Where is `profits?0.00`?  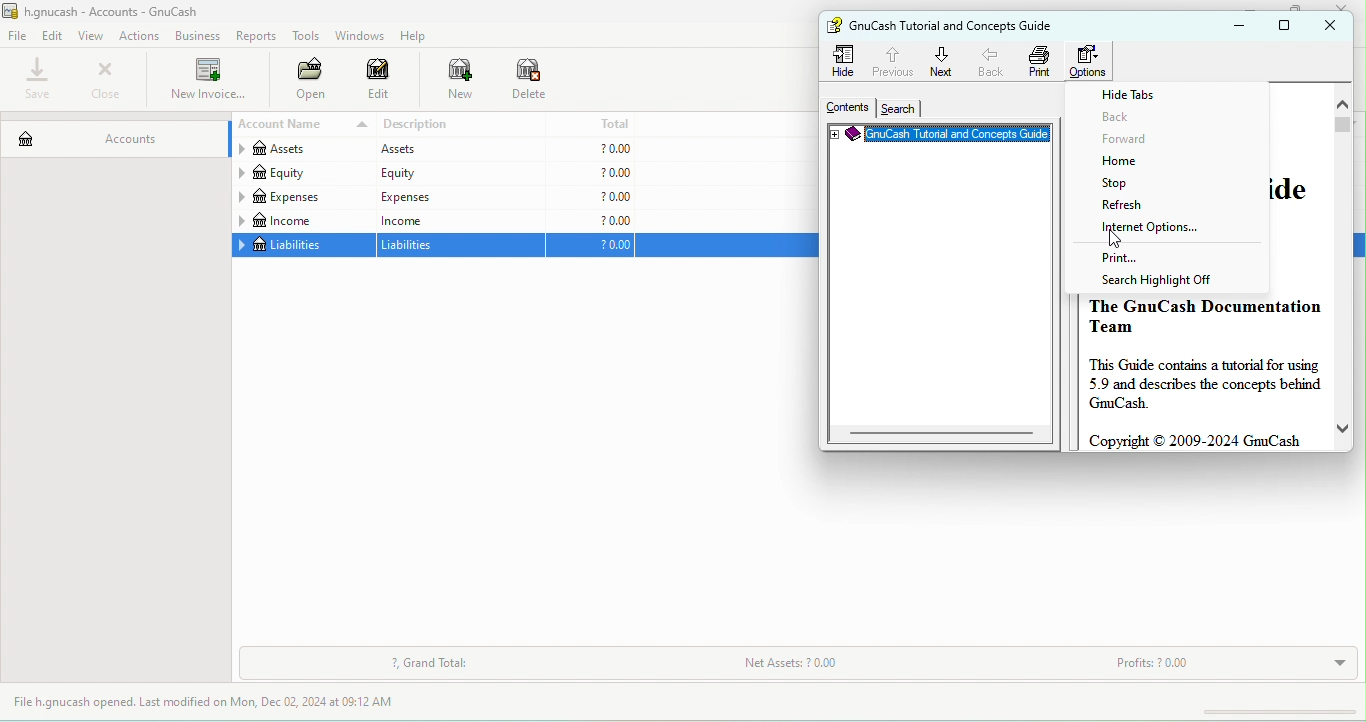 profits?0.00 is located at coordinates (1223, 664).